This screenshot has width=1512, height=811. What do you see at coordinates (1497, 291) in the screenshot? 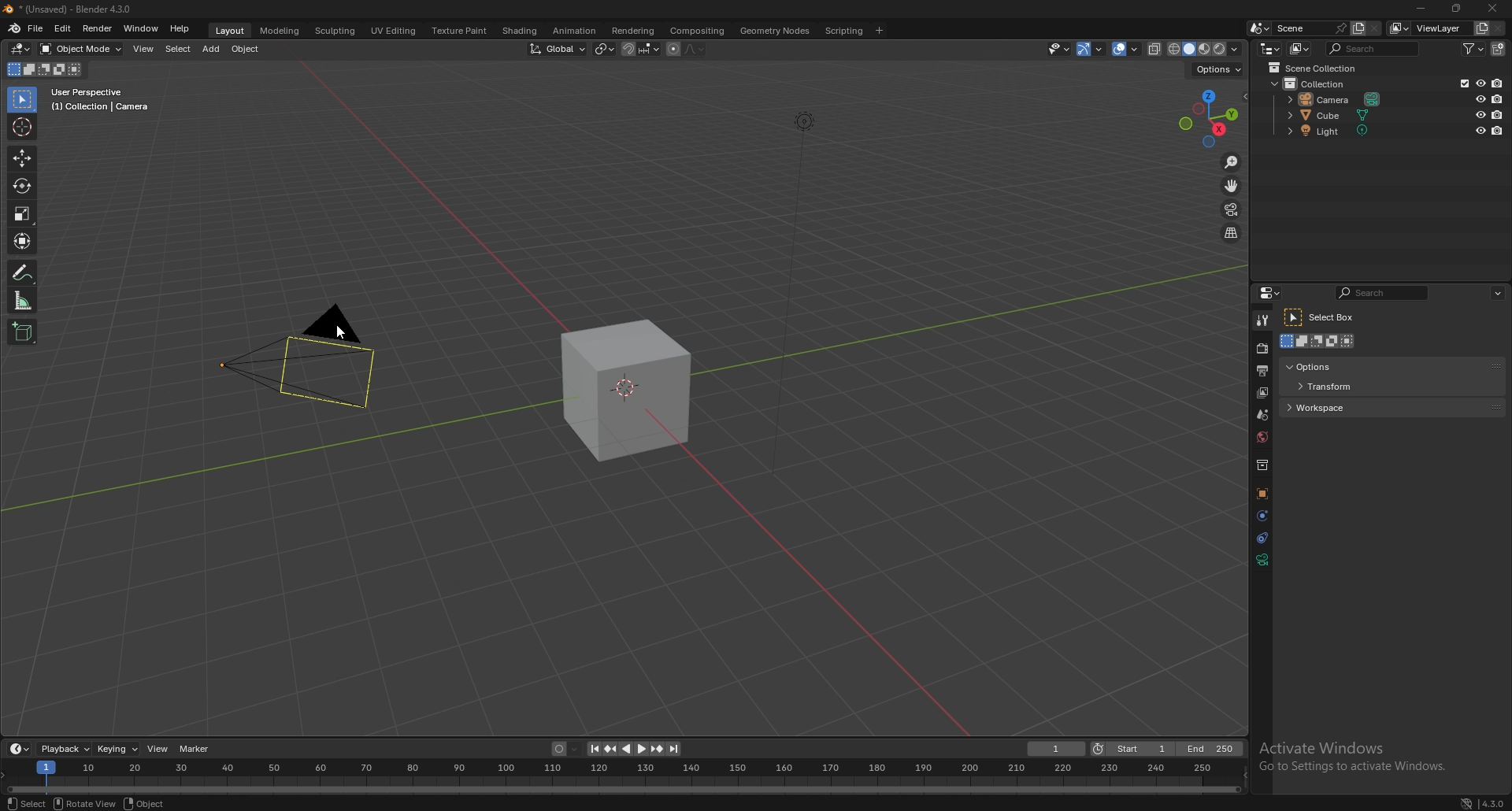
I see `options` at bounding box center [1497, 291].